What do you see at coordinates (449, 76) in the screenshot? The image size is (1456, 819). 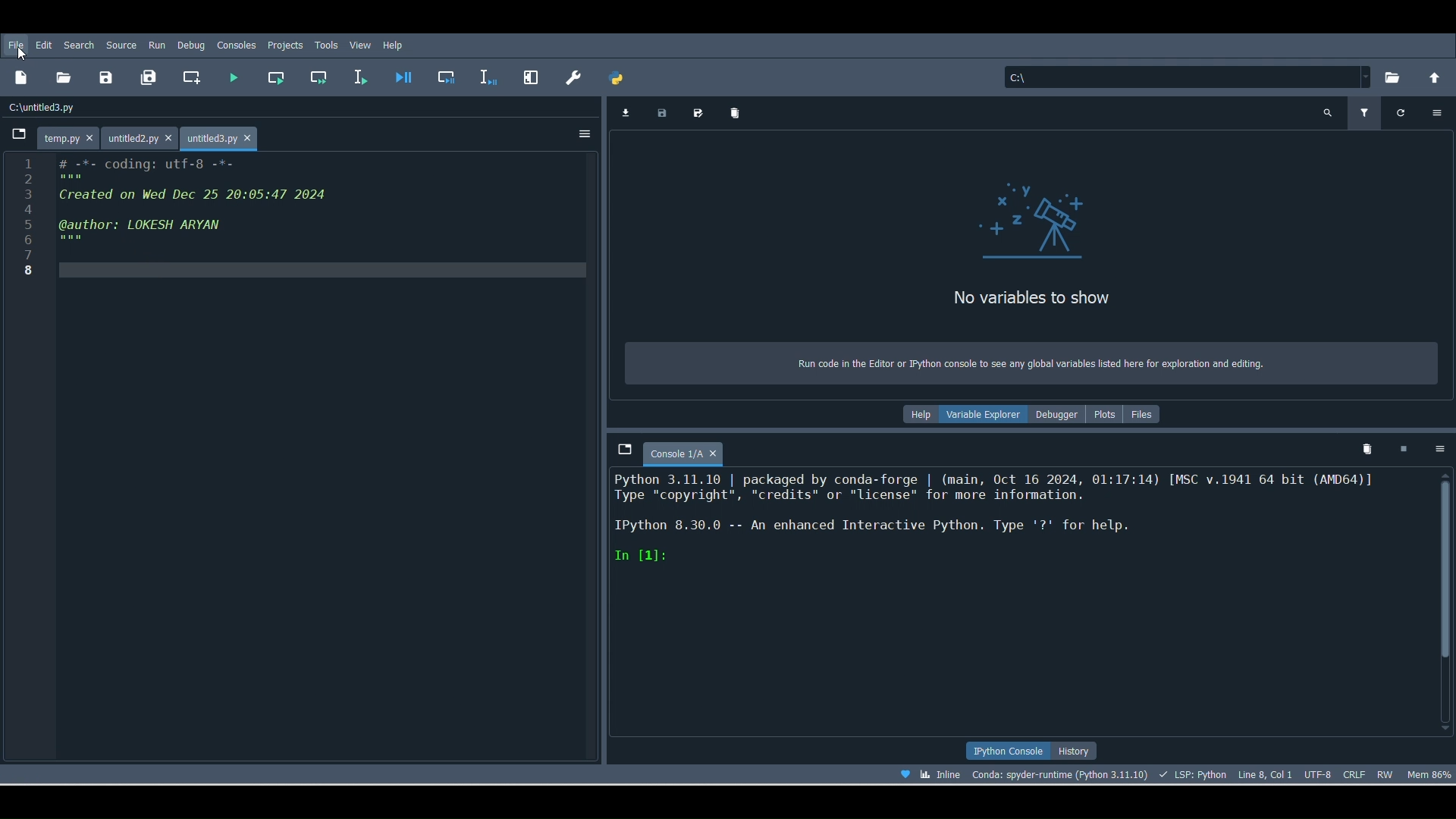 I see `Debug cell` at bounding box center [449, 76].